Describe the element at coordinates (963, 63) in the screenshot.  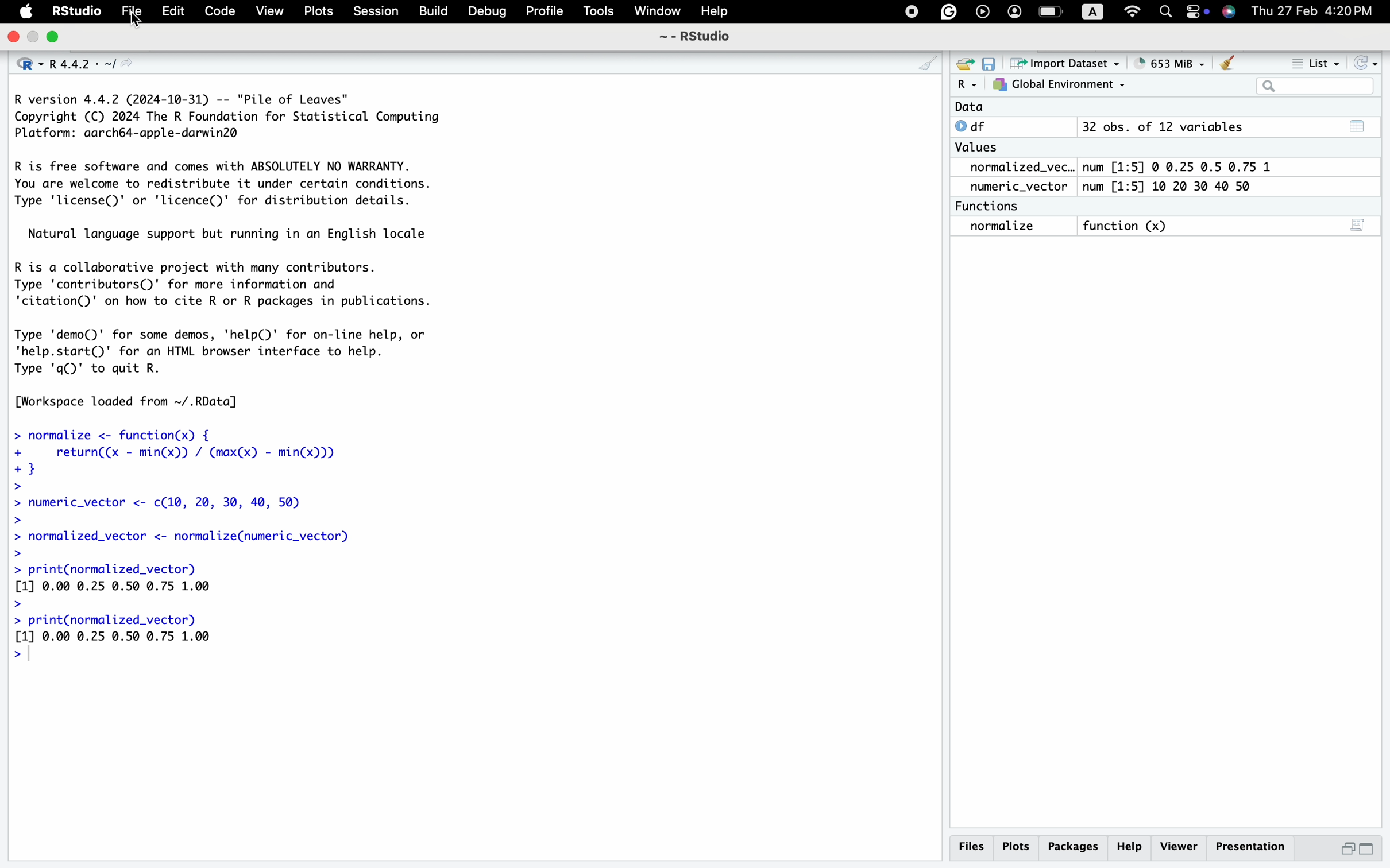
I see `Open` at that location.